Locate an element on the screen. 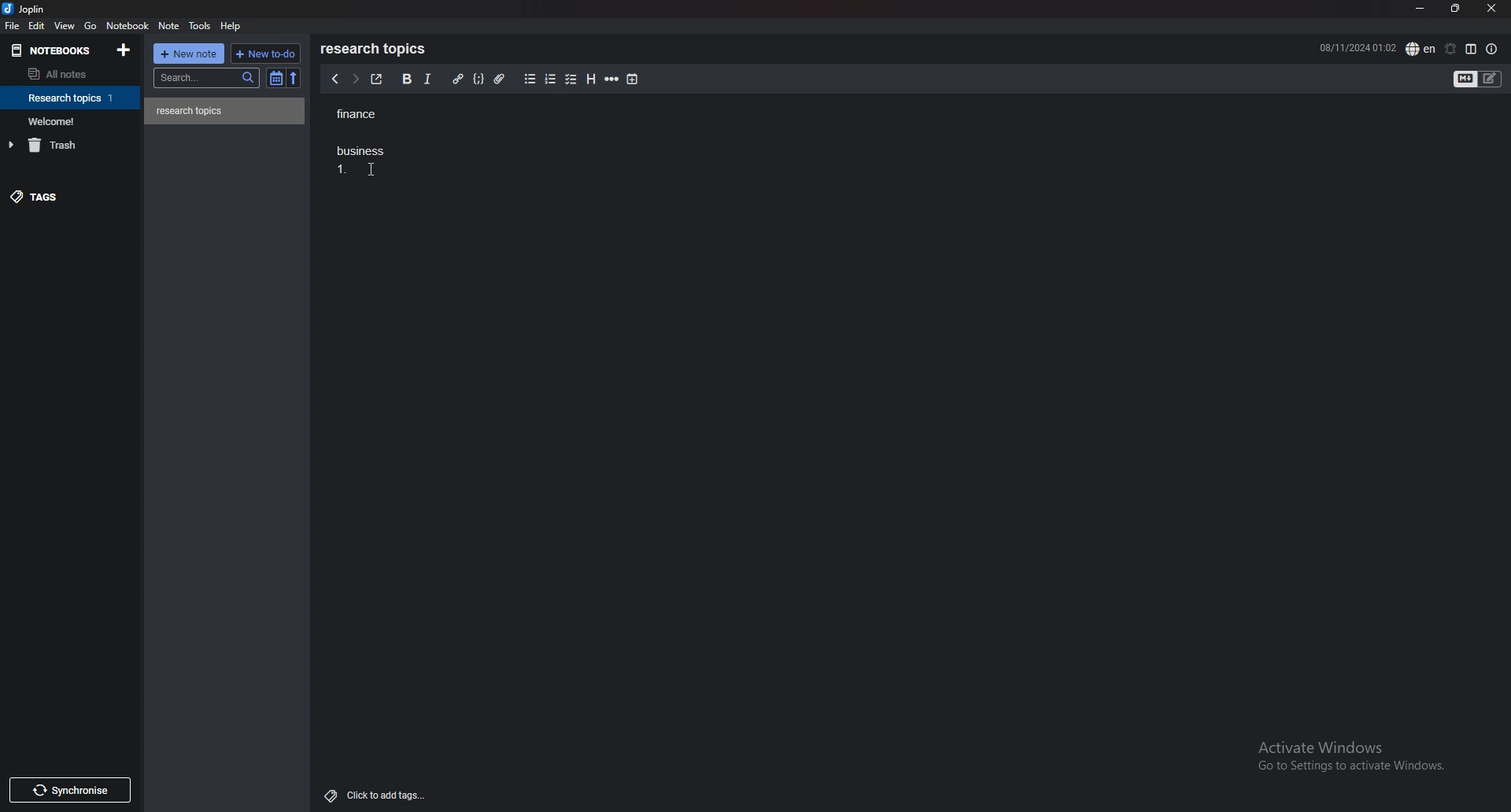  all notes is located at coordinates (65, 75).